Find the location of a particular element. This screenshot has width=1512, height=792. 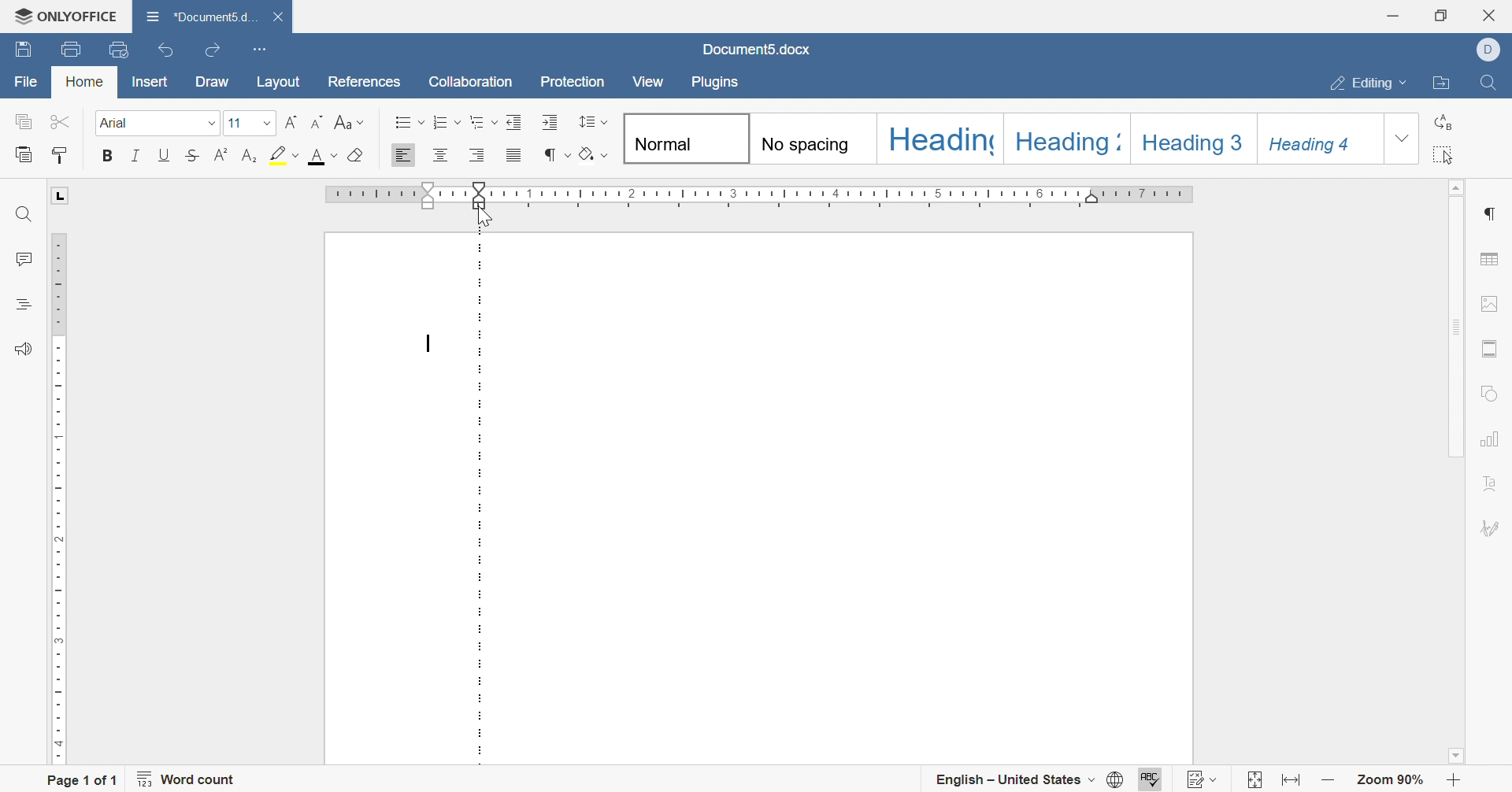

fit to page is located at coordinates (1251, 781).